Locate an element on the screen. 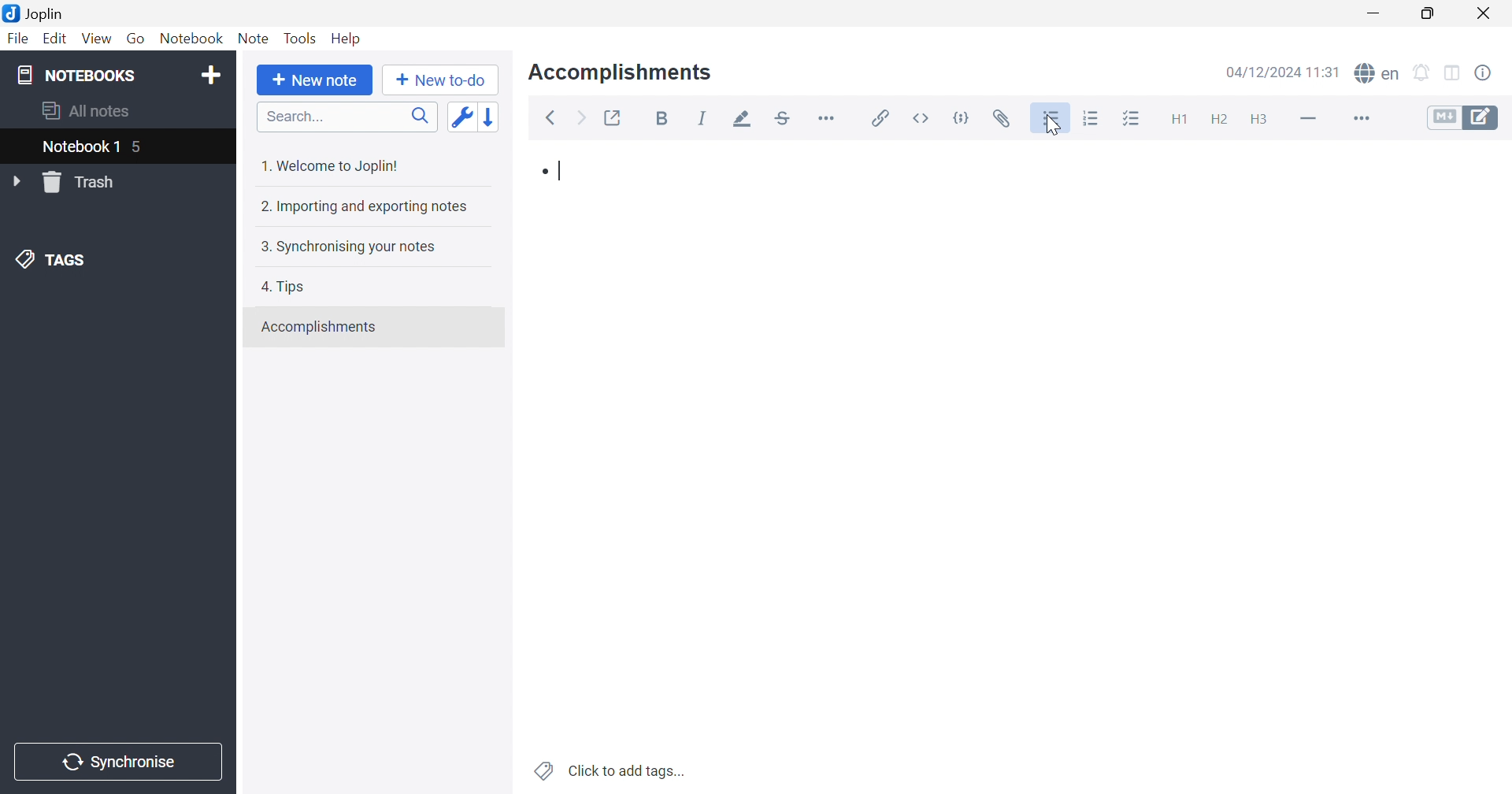  Toggle external editing is located at coordinates (612, 117).